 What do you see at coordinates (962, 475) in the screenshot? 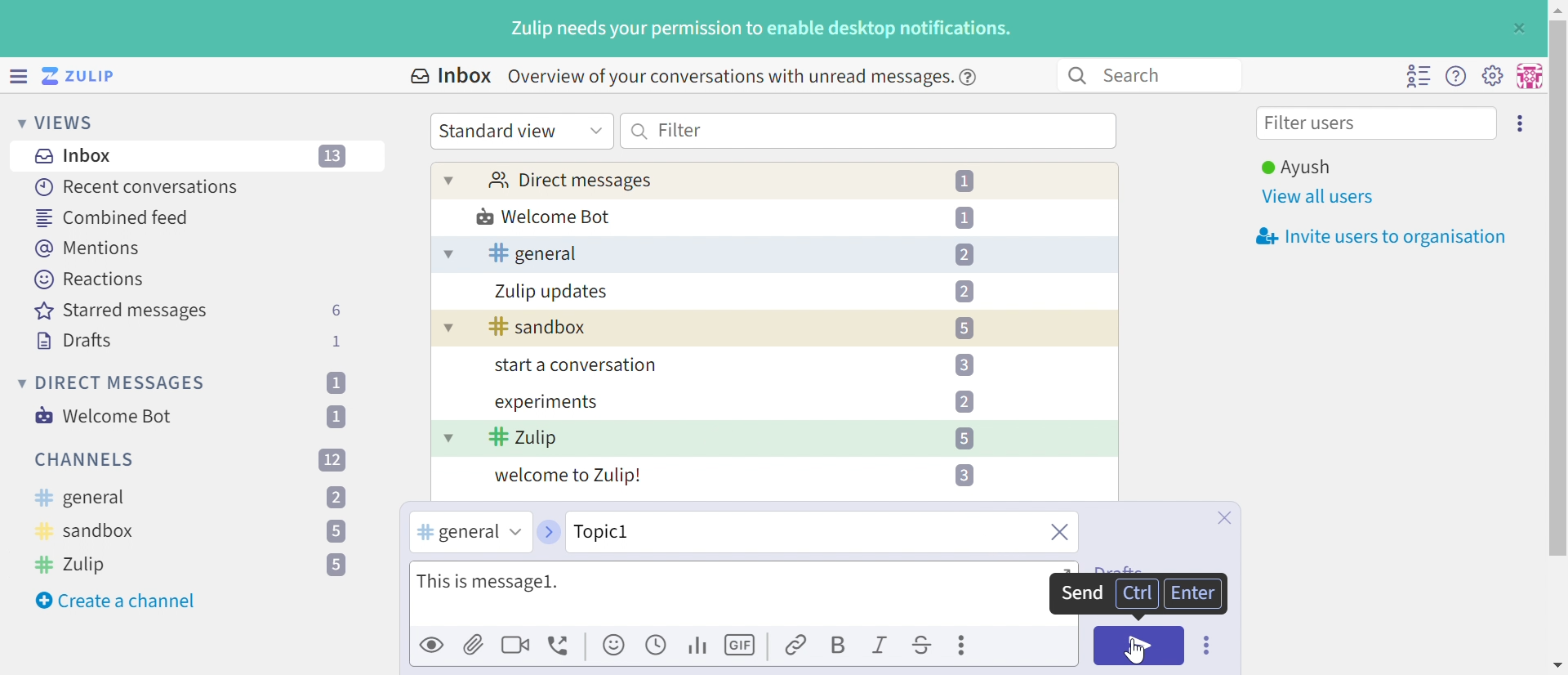
I see `3` at bounding box center [962, 475].